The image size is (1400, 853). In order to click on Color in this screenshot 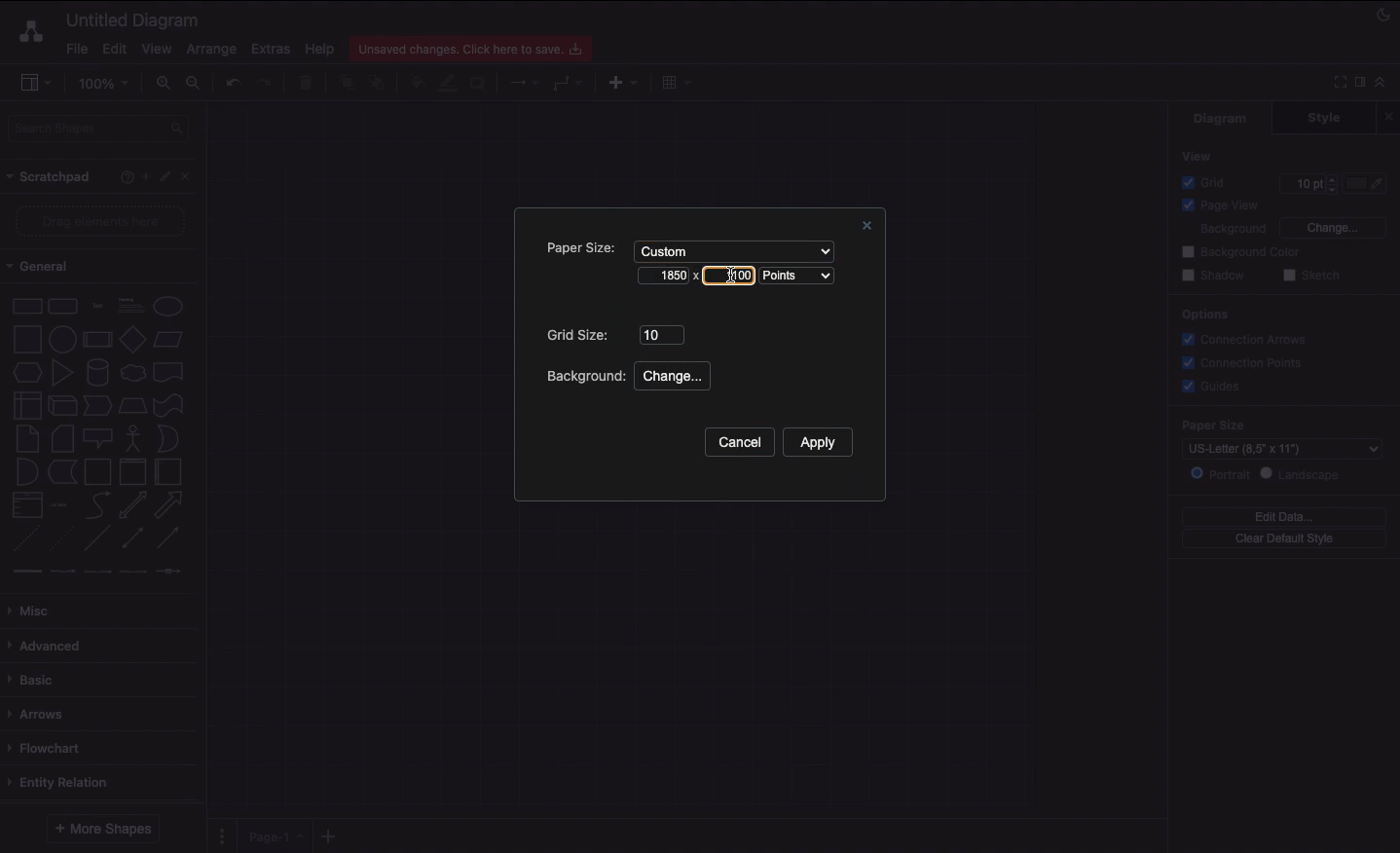, I will do `click(1367, 183)`.